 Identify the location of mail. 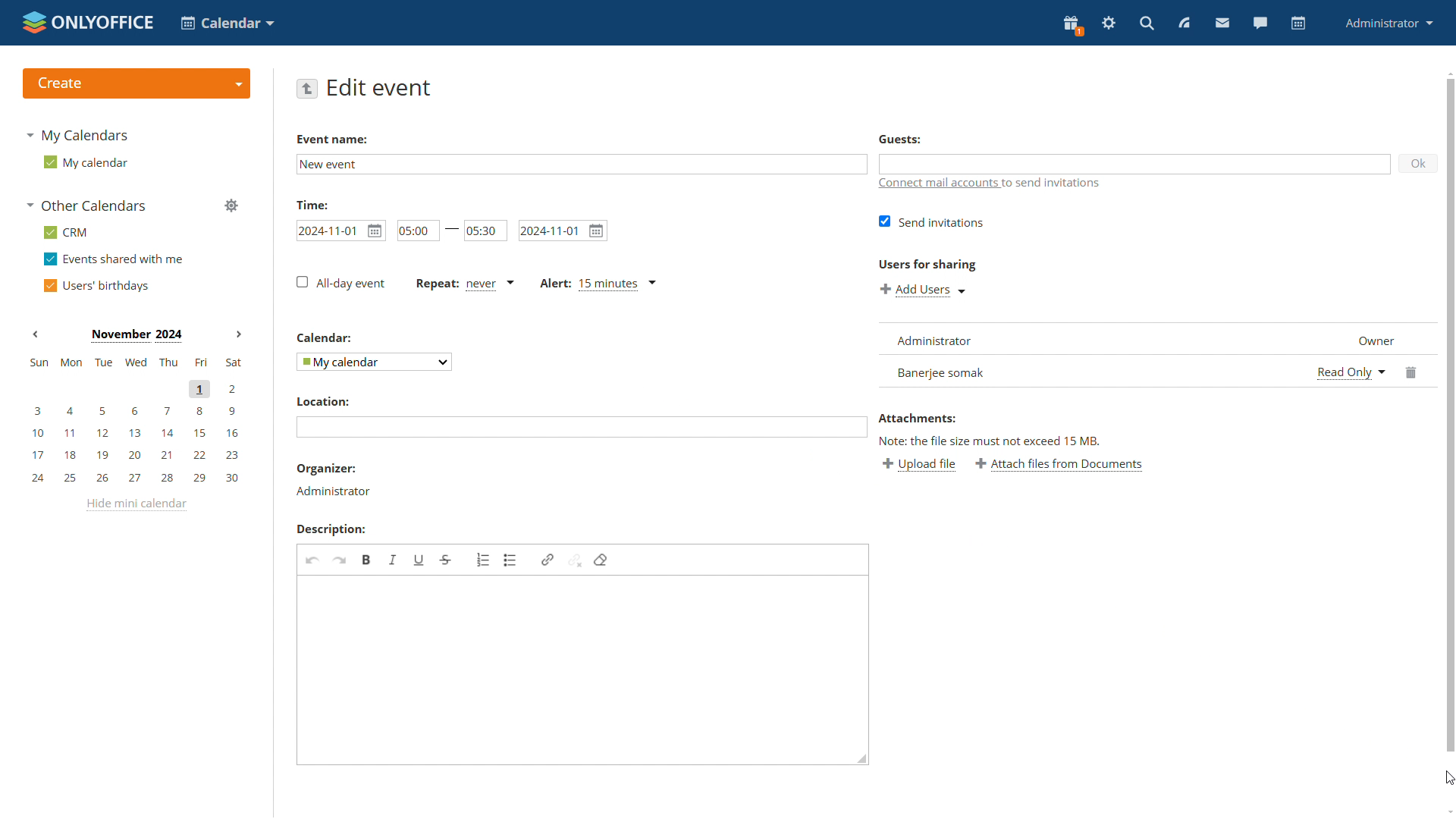
(1221, 23).